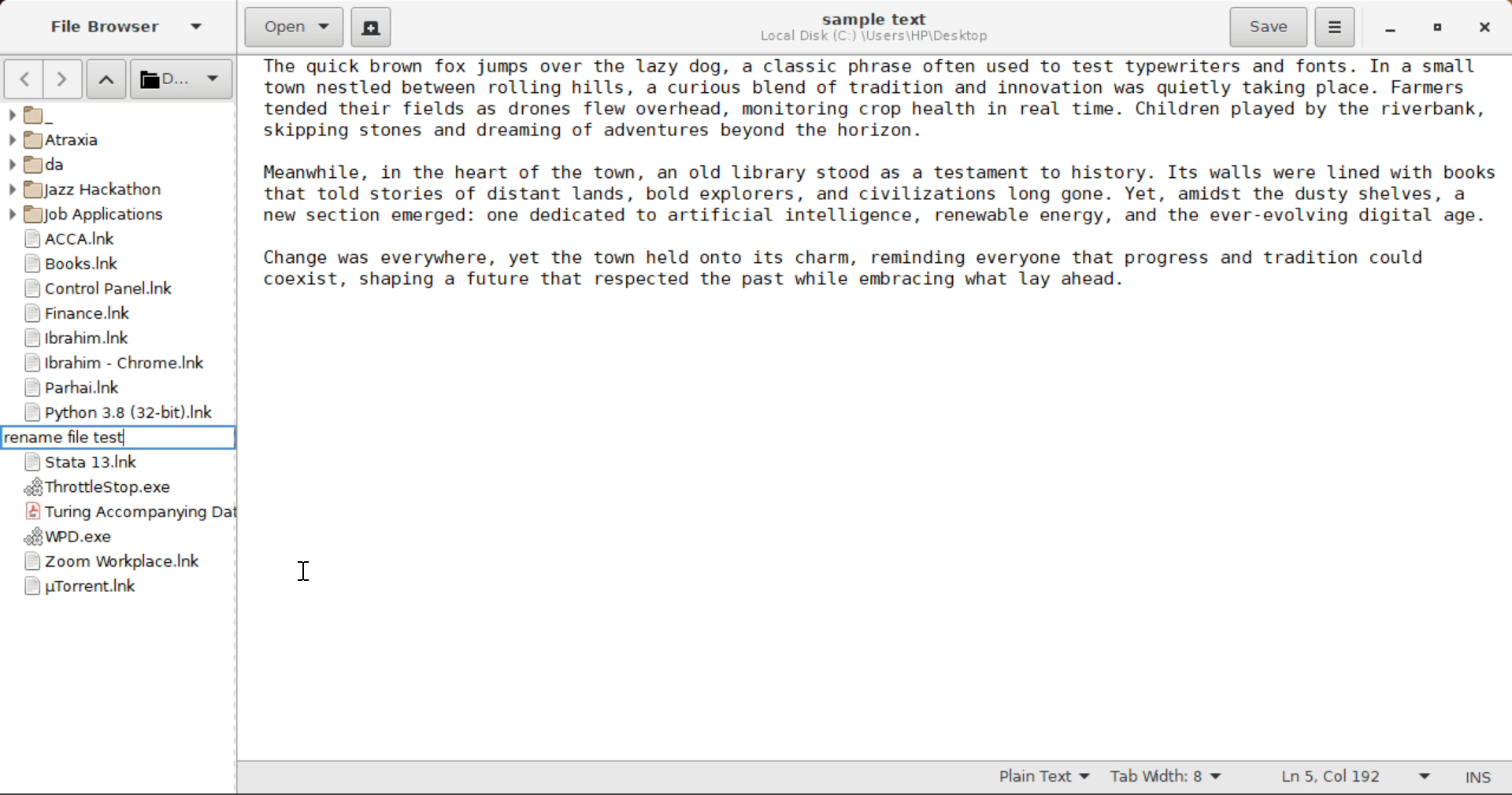 This screenshot has width=1512, height=795. I want to click on Sample text about a town., so click(880, 201).